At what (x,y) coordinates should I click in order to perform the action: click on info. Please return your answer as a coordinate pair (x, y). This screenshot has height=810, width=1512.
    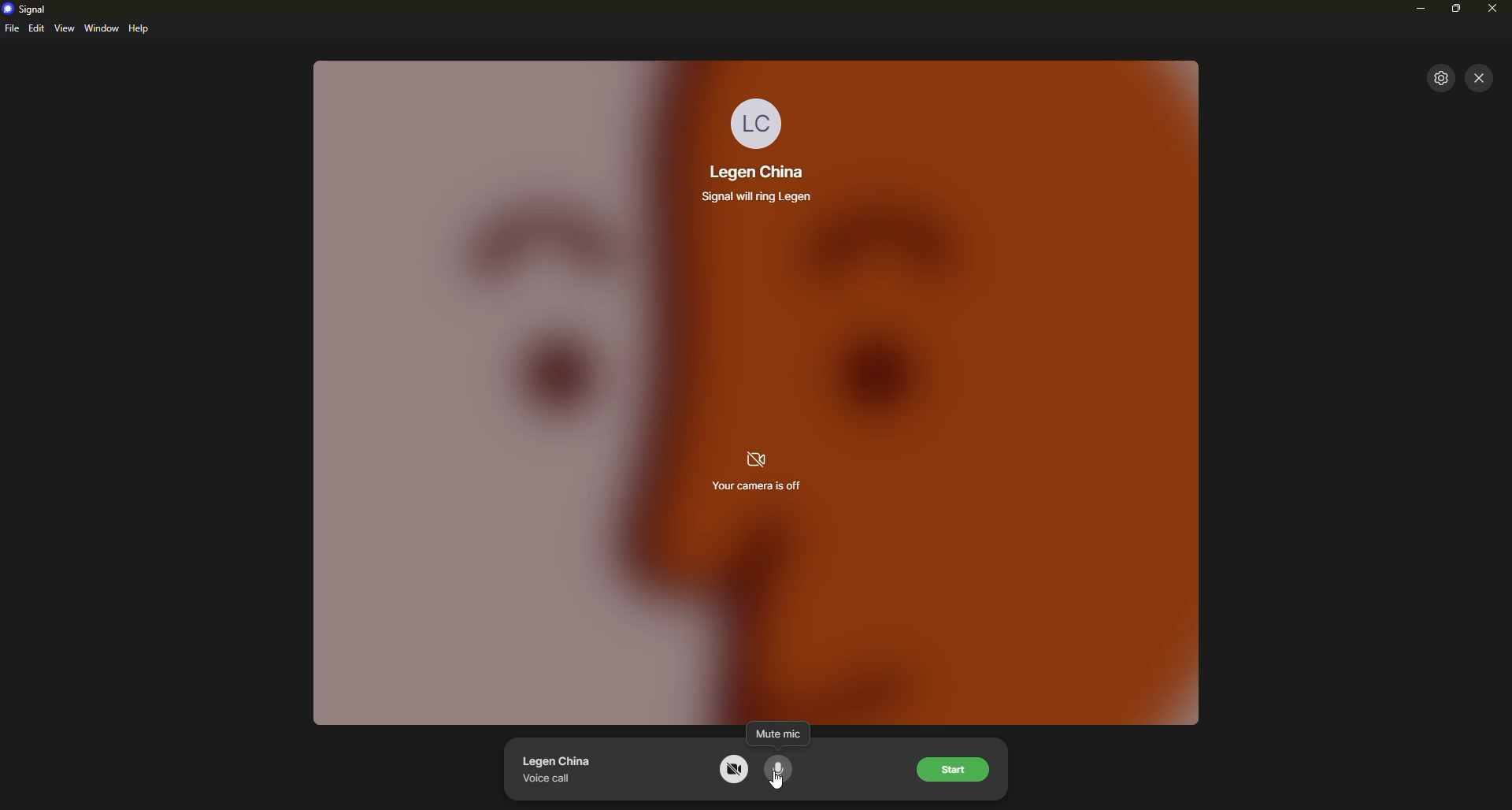
    Looking at the image, I should click on (761, 195).